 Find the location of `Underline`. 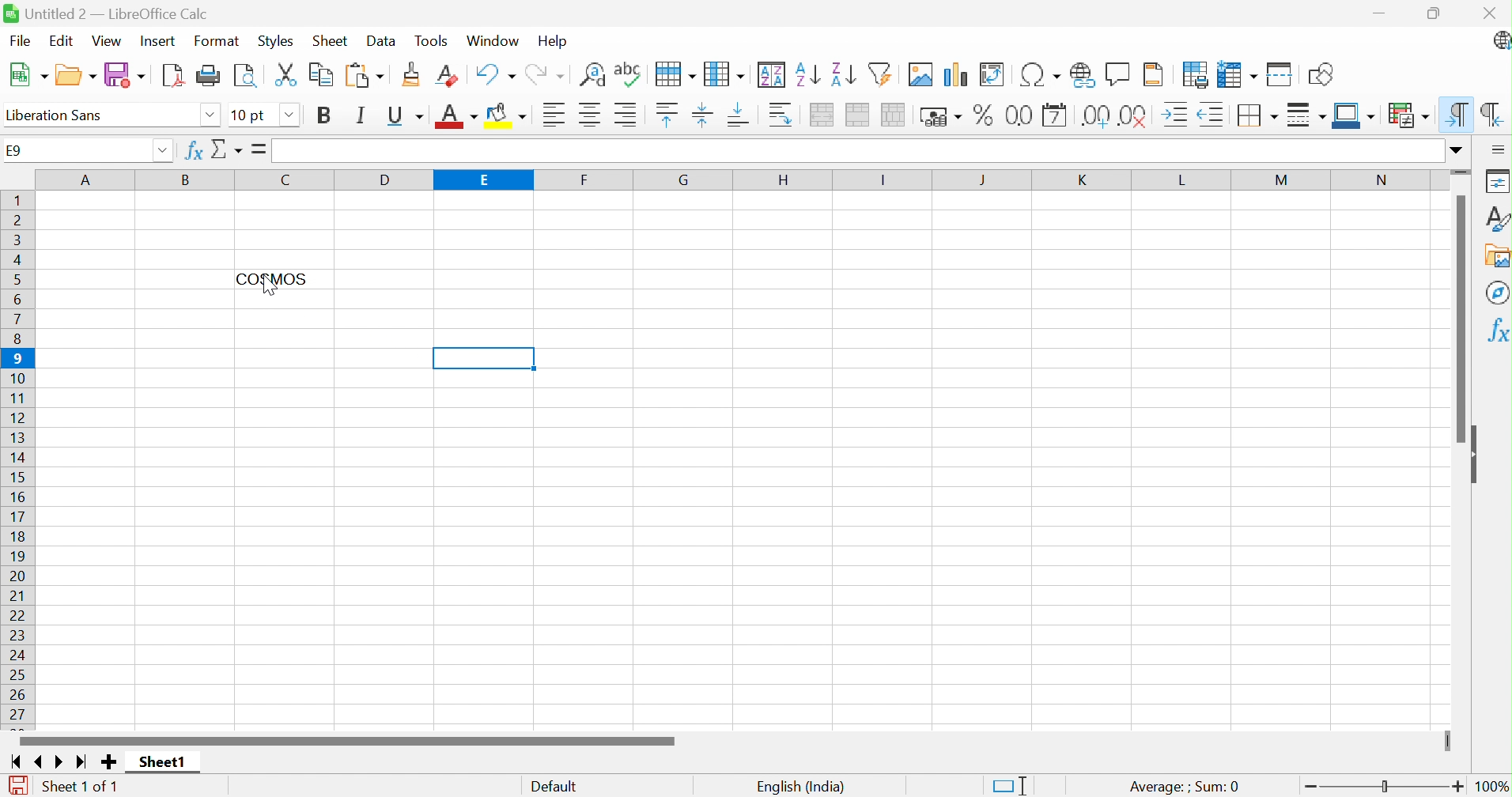

Underline is located at coordinates (406, 117).